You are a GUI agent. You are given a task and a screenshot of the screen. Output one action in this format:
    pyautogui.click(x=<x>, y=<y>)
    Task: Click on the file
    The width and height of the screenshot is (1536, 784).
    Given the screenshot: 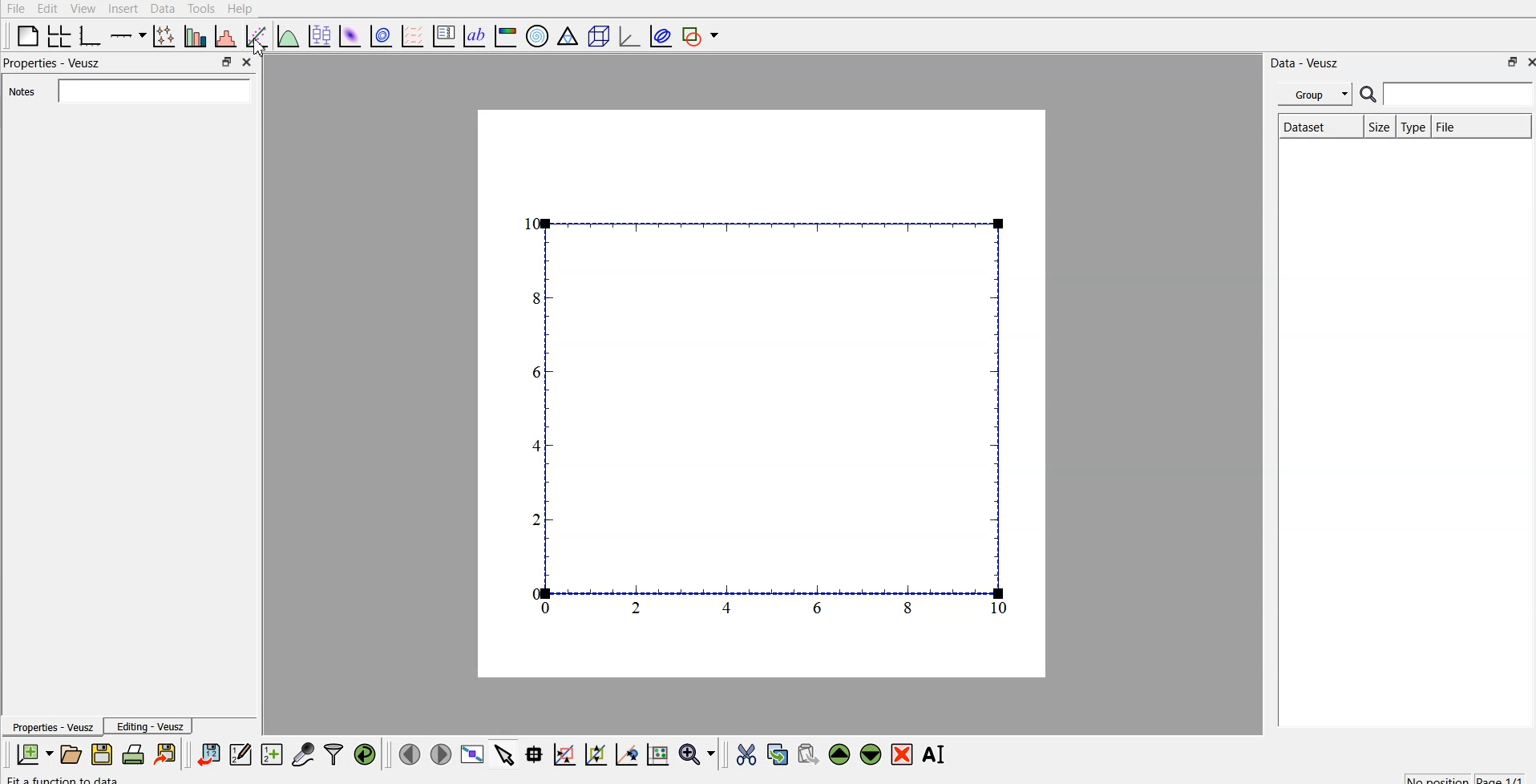 What is the action you would take?
    pyautogui.click(x=14, y=8)
    